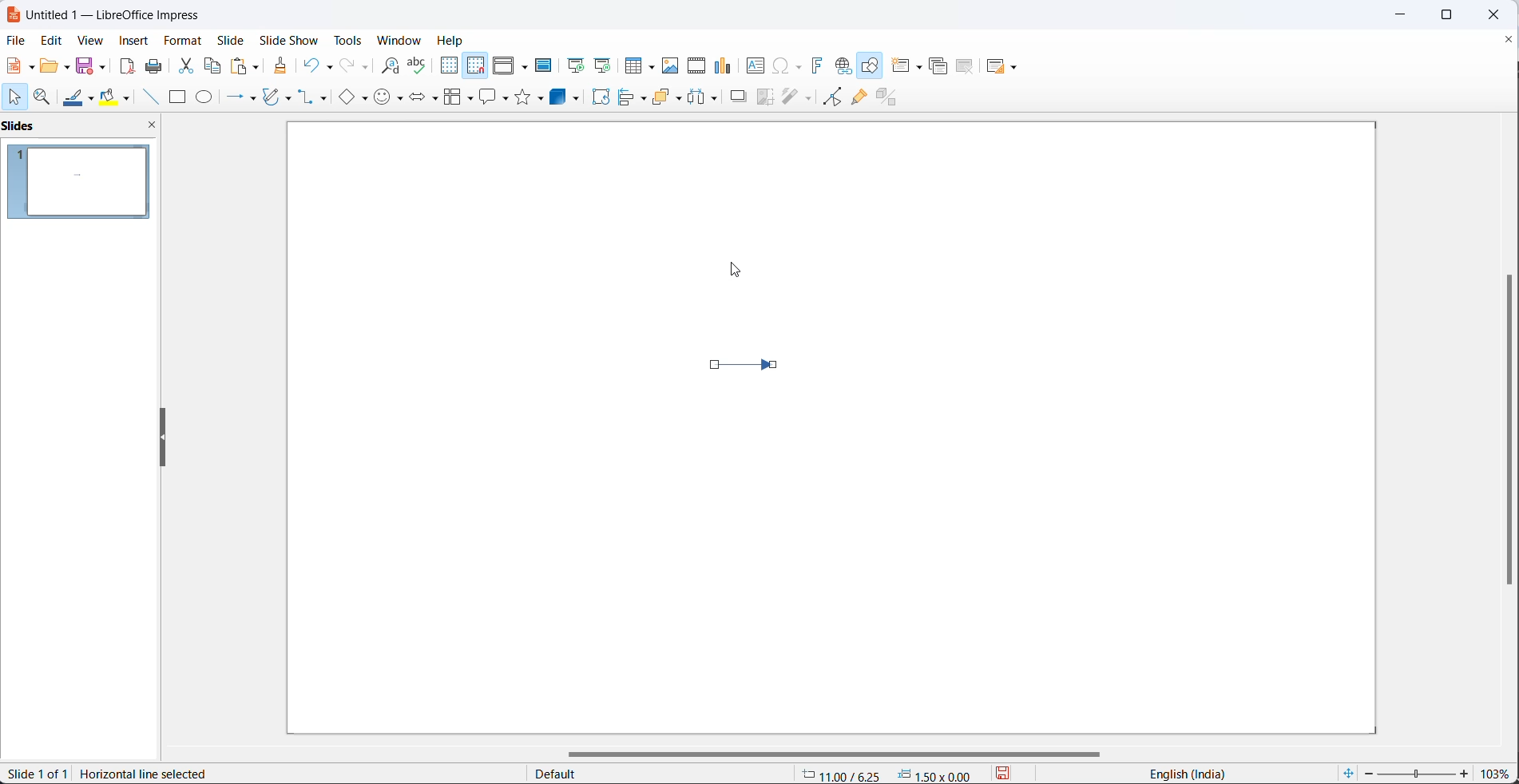 This screenshot has width=1519, height=784. I want to click on symbol shapes, so click(389, 100).